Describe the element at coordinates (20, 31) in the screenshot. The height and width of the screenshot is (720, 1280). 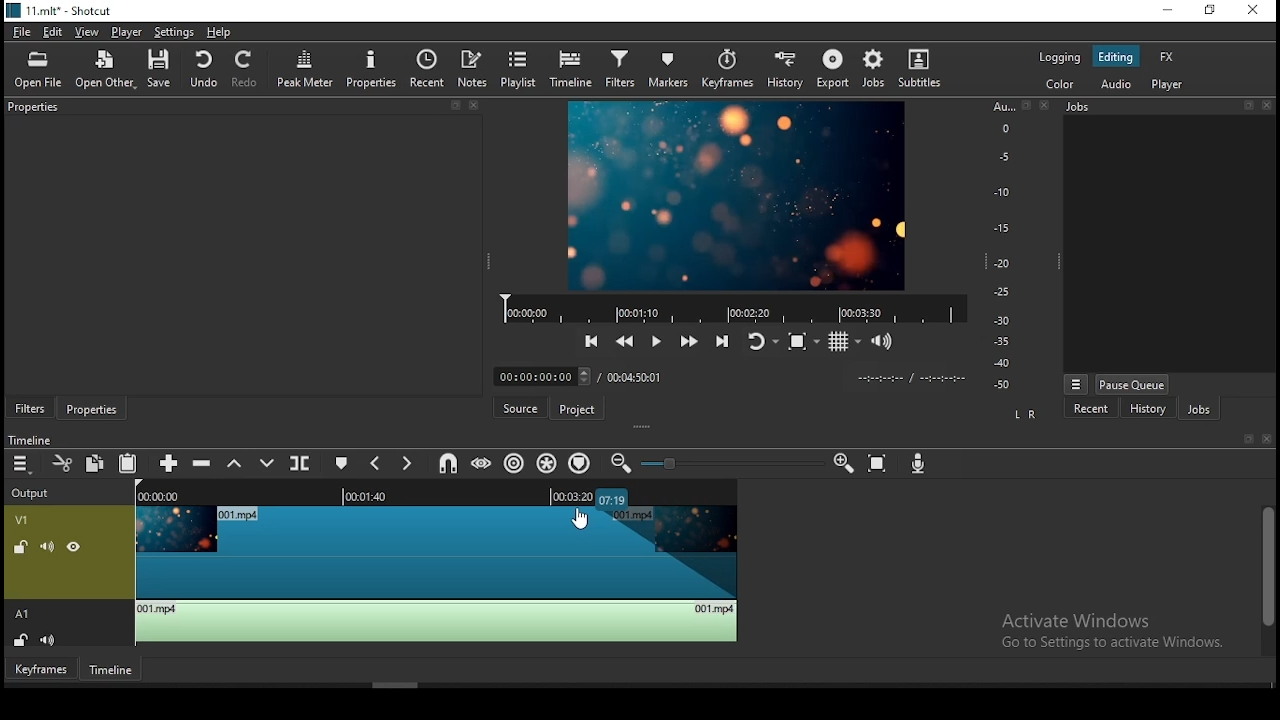
I see `file` at that location.